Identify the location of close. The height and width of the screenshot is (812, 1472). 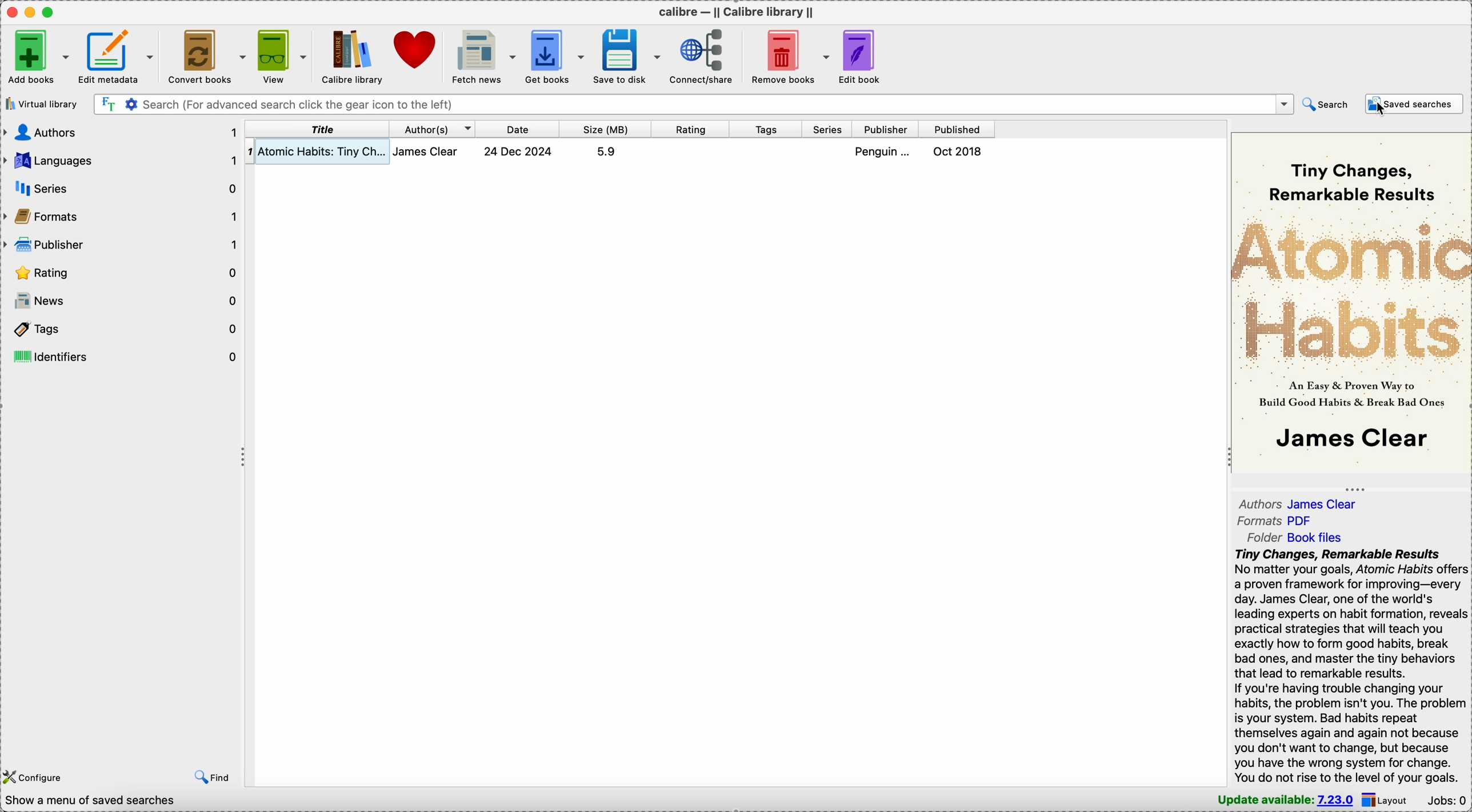
(11, 11).